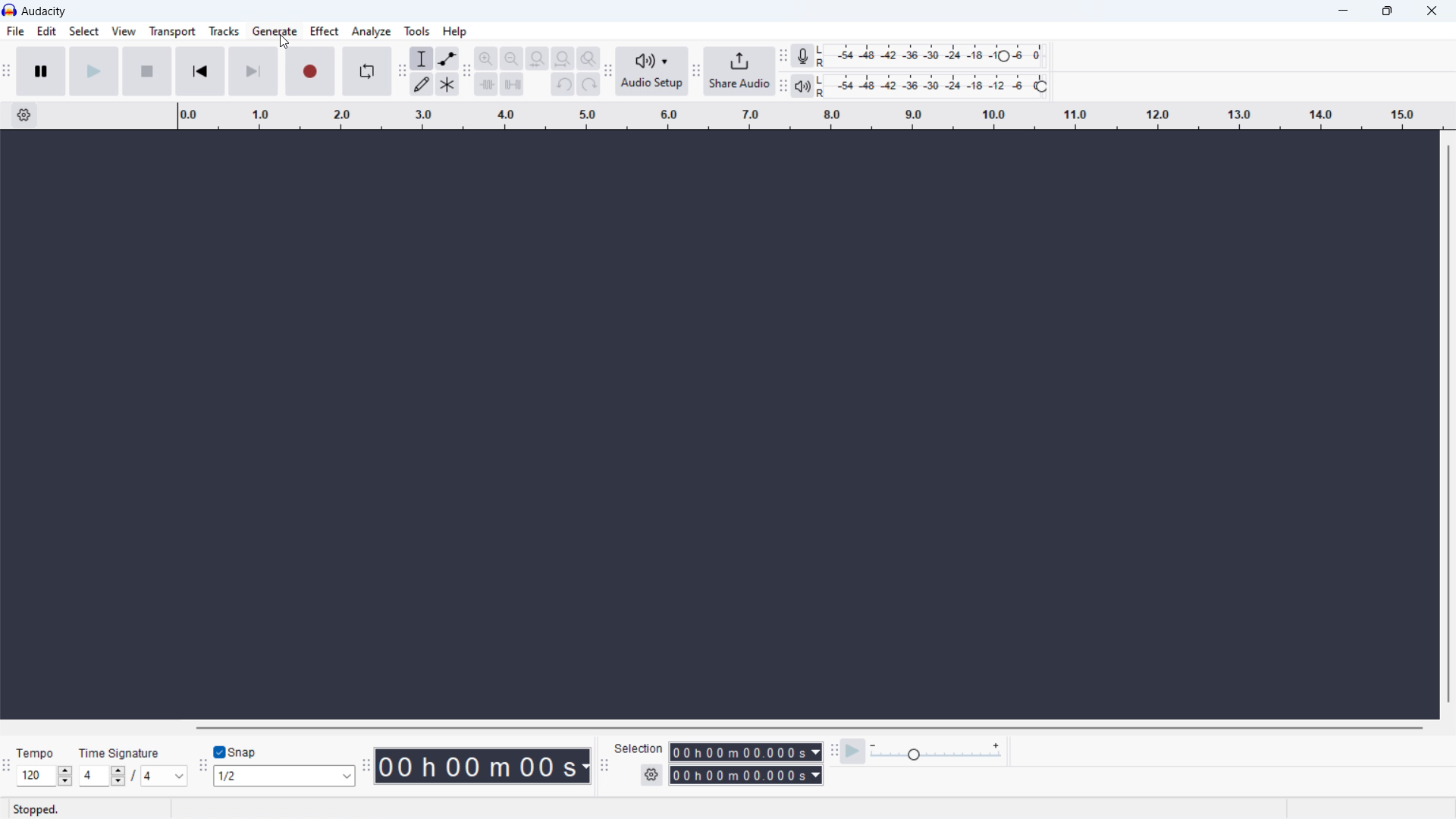 The image size is (1456, 819). What do you see at coordinates (1445, 422) in the screenshot?
I see `vertical scrollbar` at bounding box center [1445, 422].